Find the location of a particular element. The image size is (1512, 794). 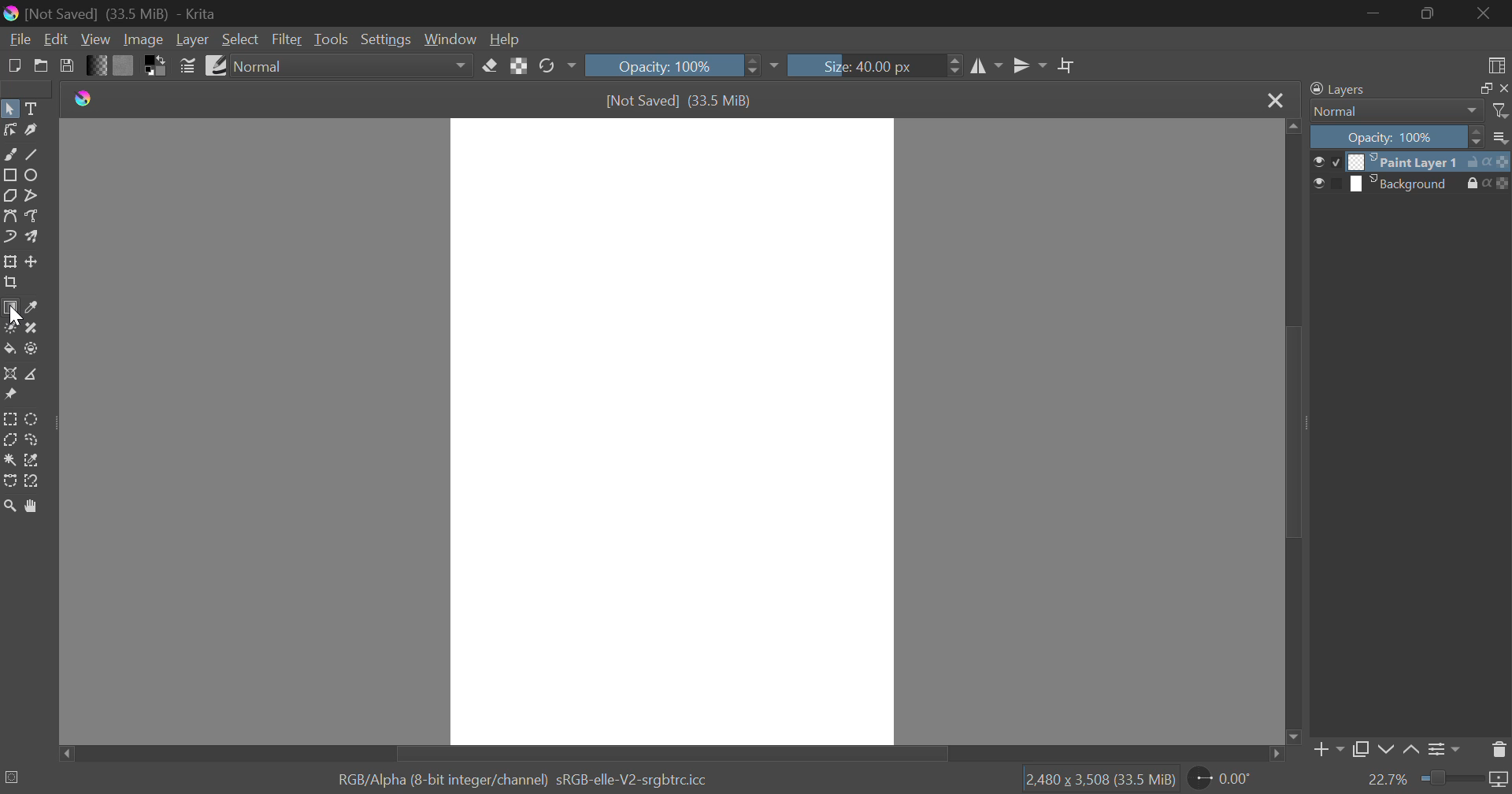

Lock Alpha is located at coordinates (518, 66).